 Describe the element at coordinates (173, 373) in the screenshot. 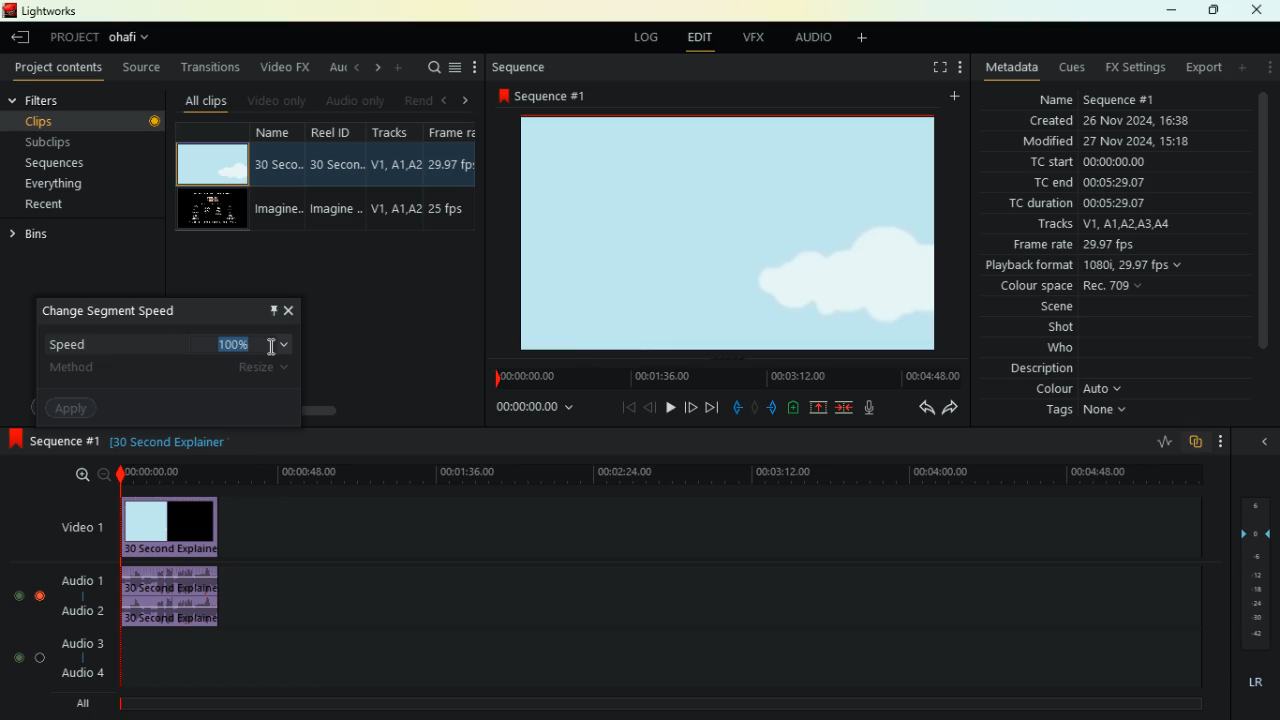

I see `method` at that location.